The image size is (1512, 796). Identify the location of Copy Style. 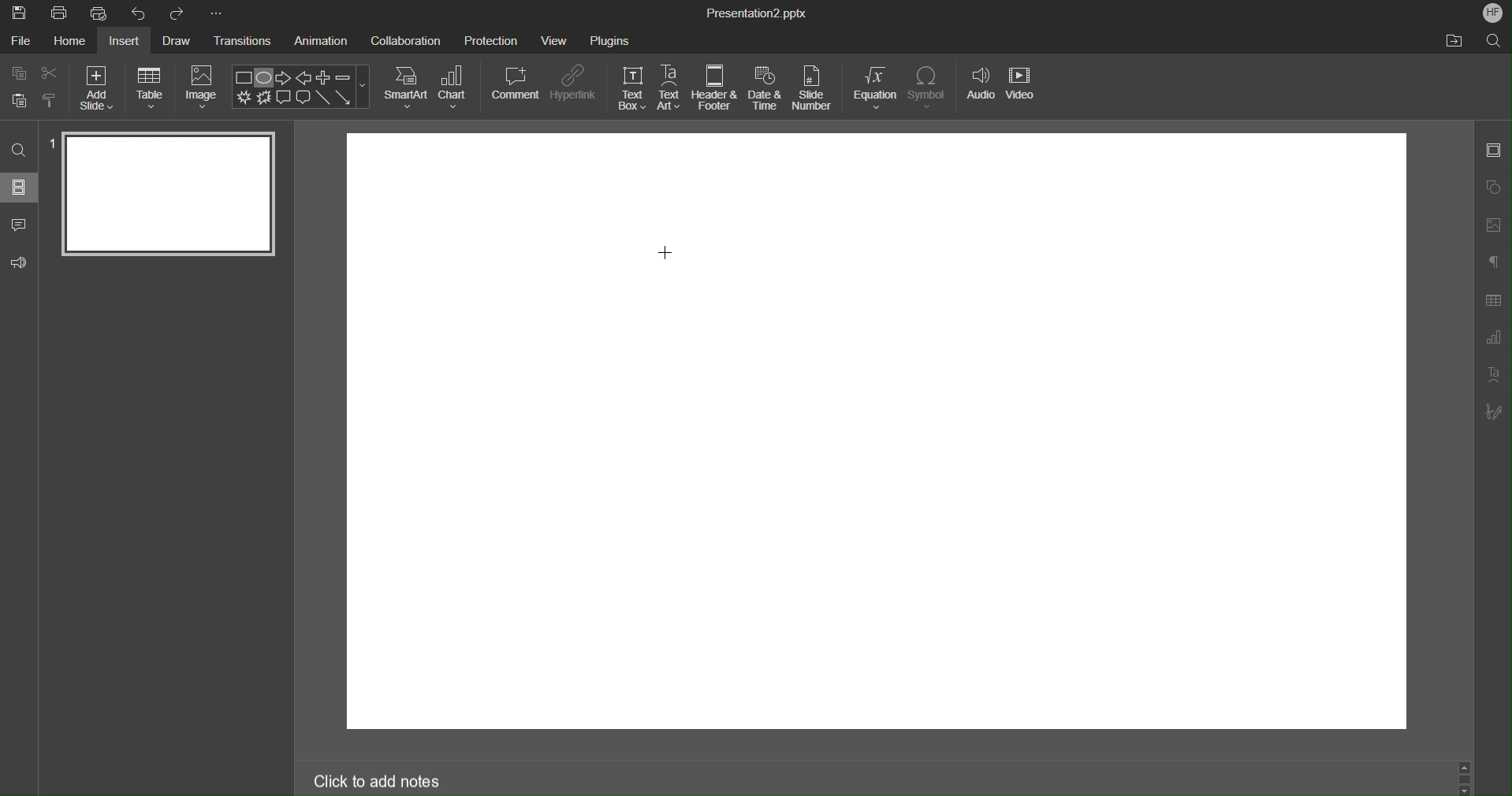
(50, 99).